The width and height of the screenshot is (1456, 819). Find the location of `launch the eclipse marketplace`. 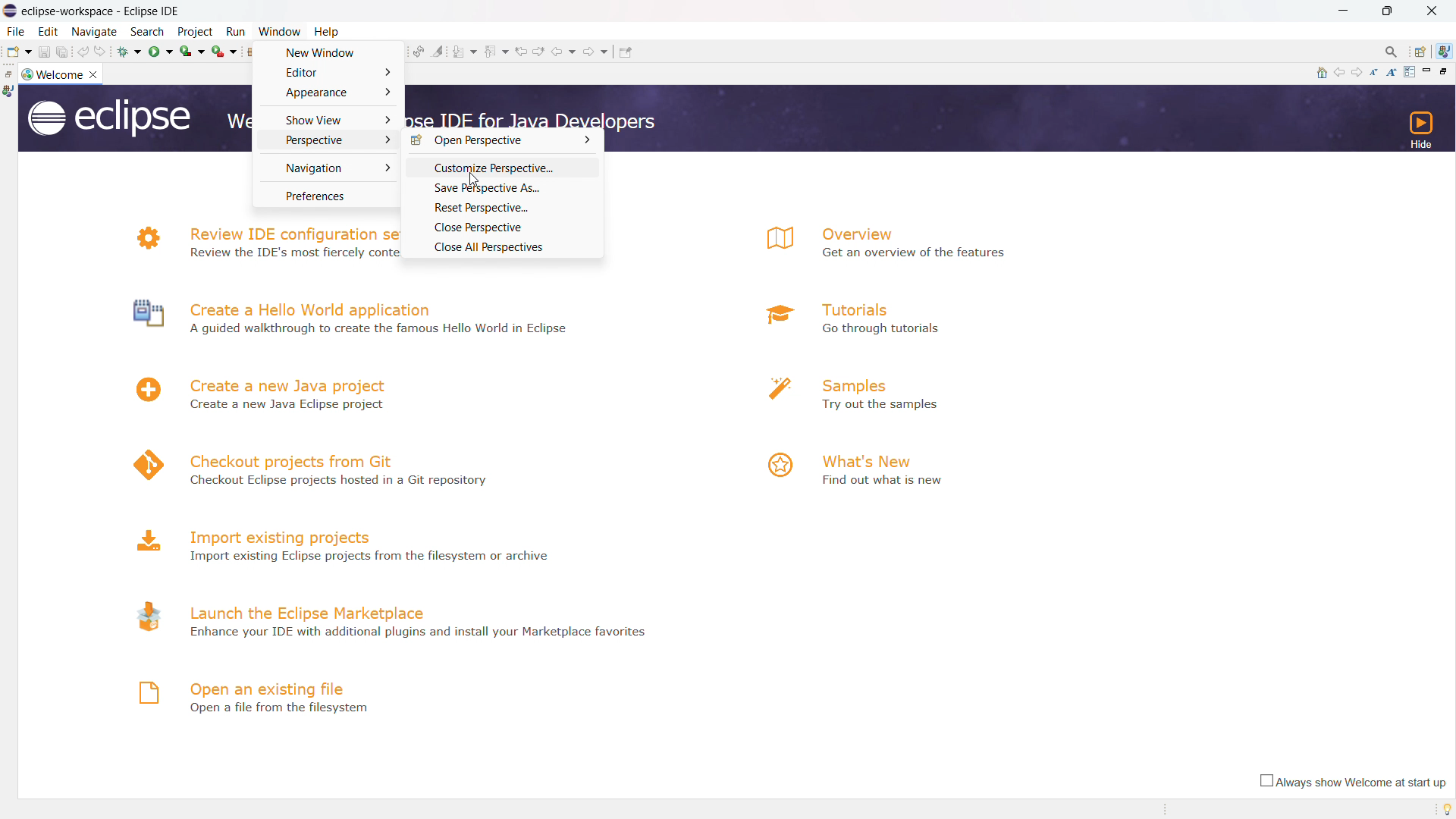

launch the eclipse marketplace is located at coordinates (308, 610).